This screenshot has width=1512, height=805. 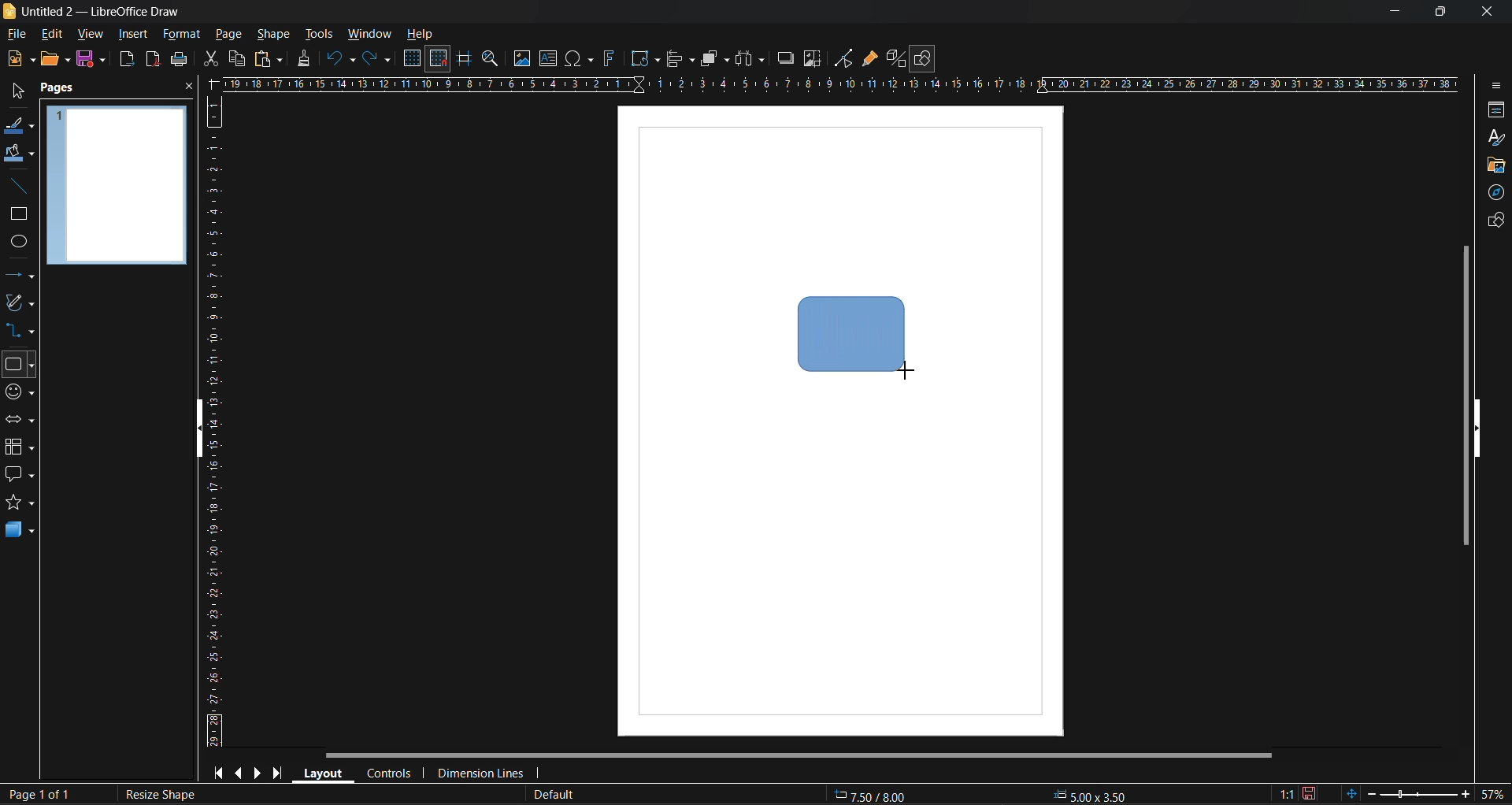 I want to click on curves and polygons, so click(x=20, y=301).